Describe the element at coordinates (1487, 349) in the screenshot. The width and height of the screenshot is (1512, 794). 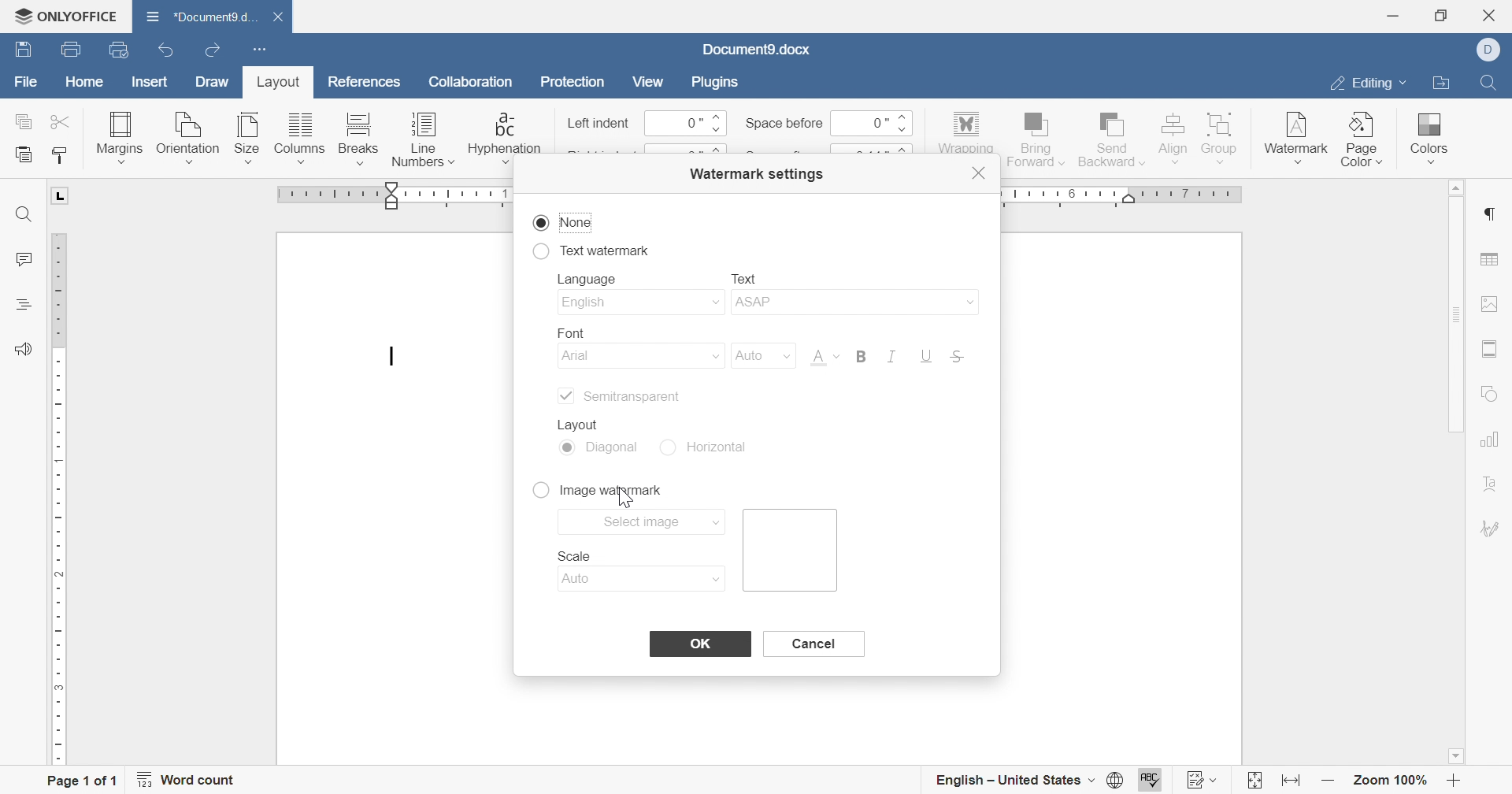
I see `header and footer settings` at that location.